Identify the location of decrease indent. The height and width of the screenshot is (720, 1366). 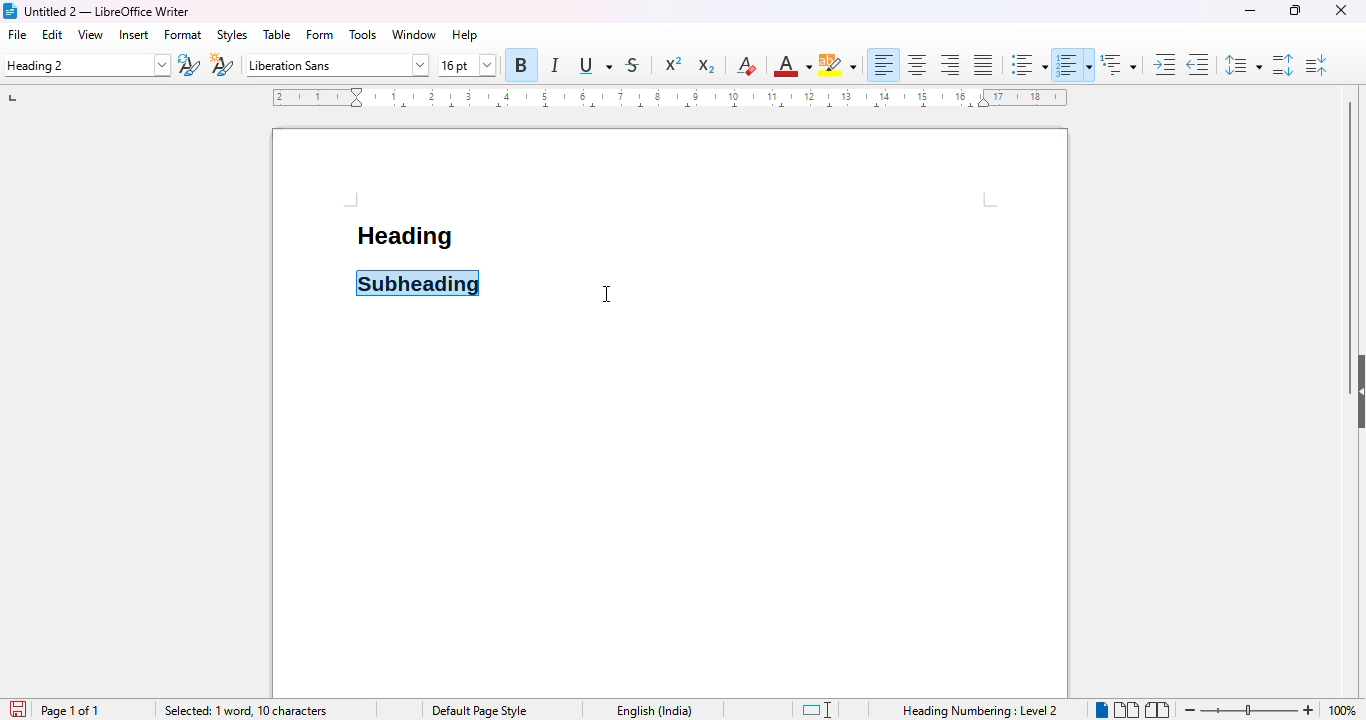
(1198, 63).